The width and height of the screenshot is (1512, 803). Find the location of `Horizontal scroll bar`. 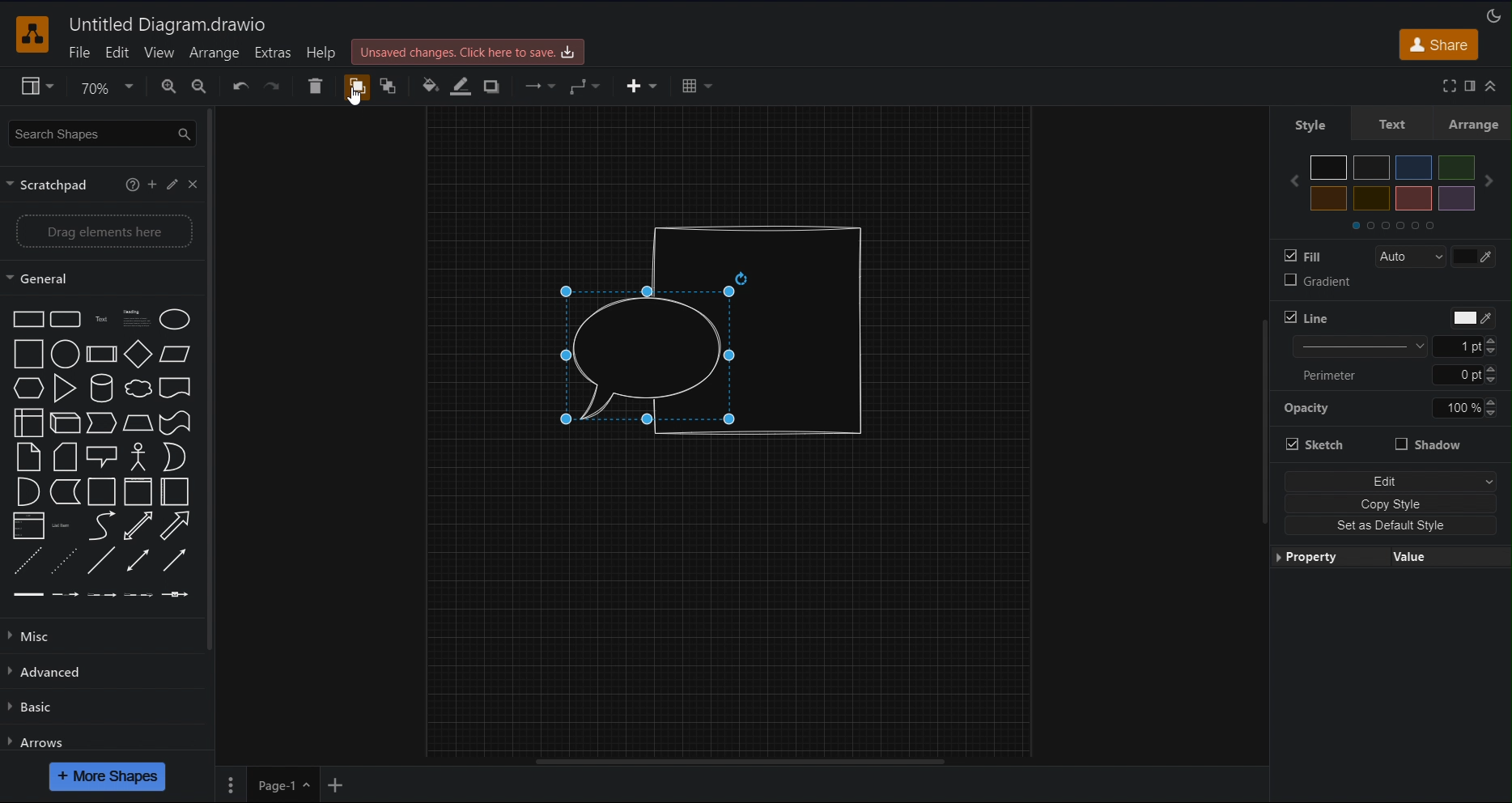

Horizontal scroll bar is located at coordinates (741, 762).